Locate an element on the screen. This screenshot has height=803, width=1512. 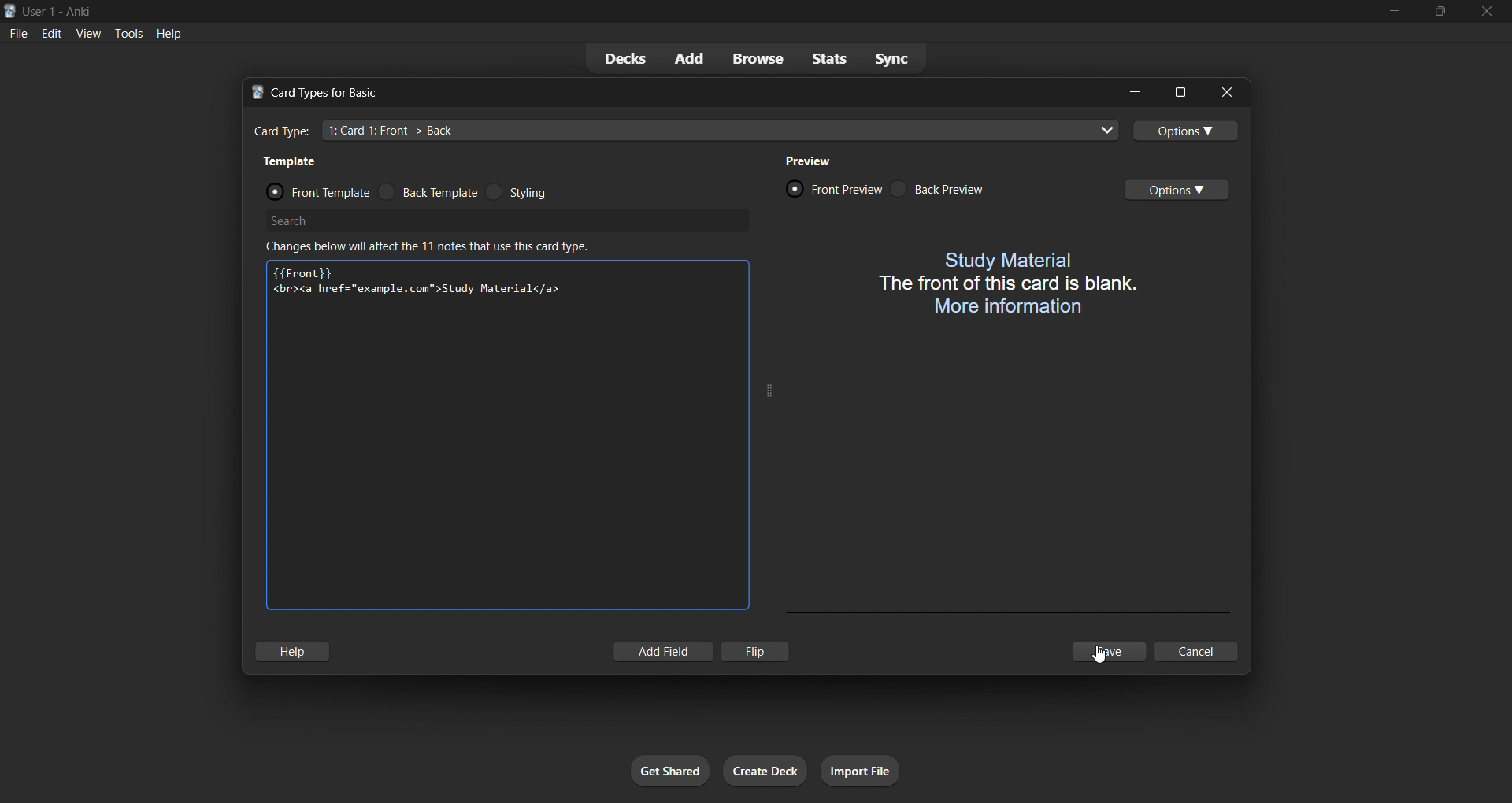
flip is located at coordinates (760, 649).